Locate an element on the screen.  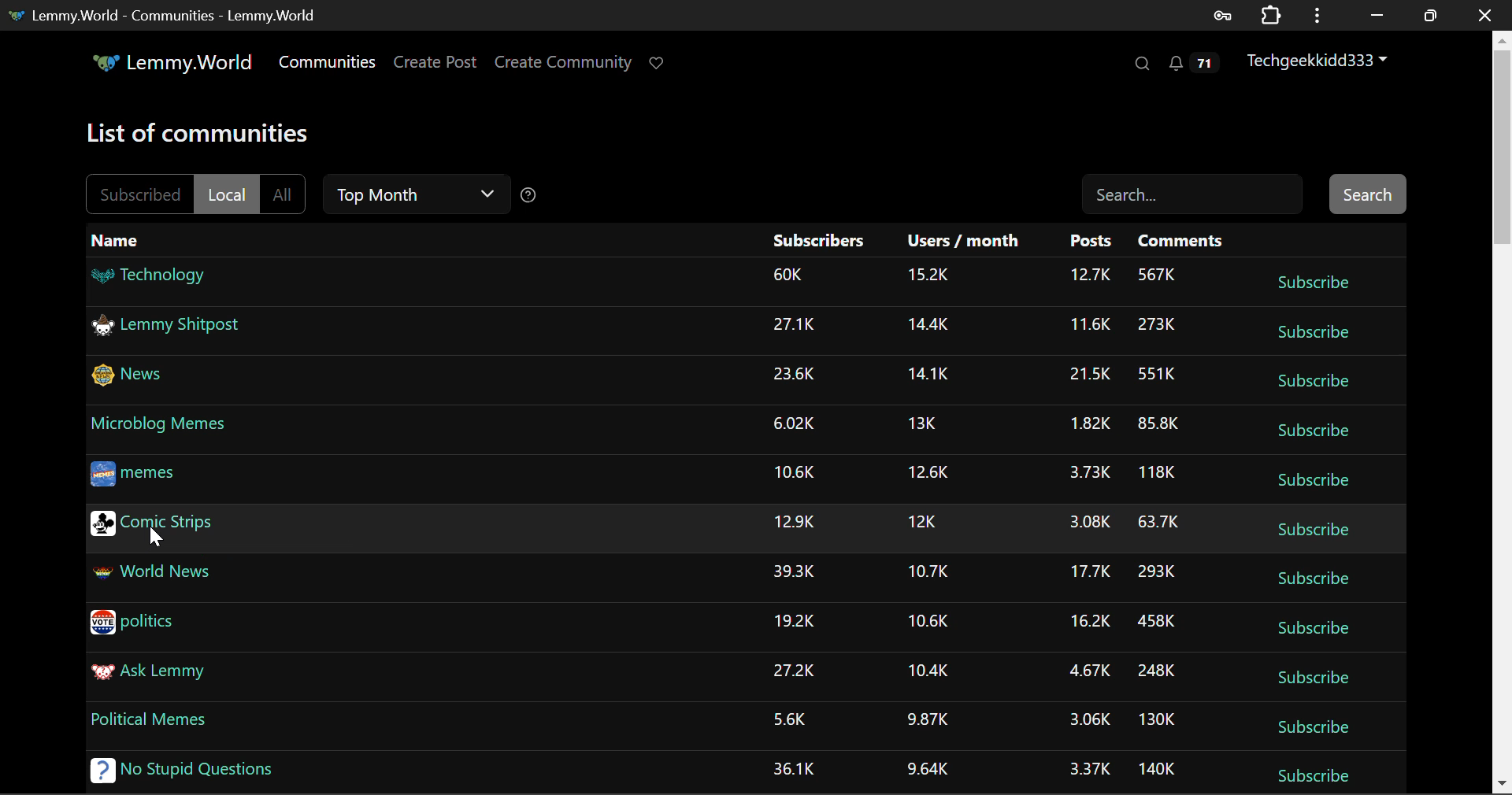
Lemmy.World- Communities - Lemmy.World is located at coordinates (164, 15).